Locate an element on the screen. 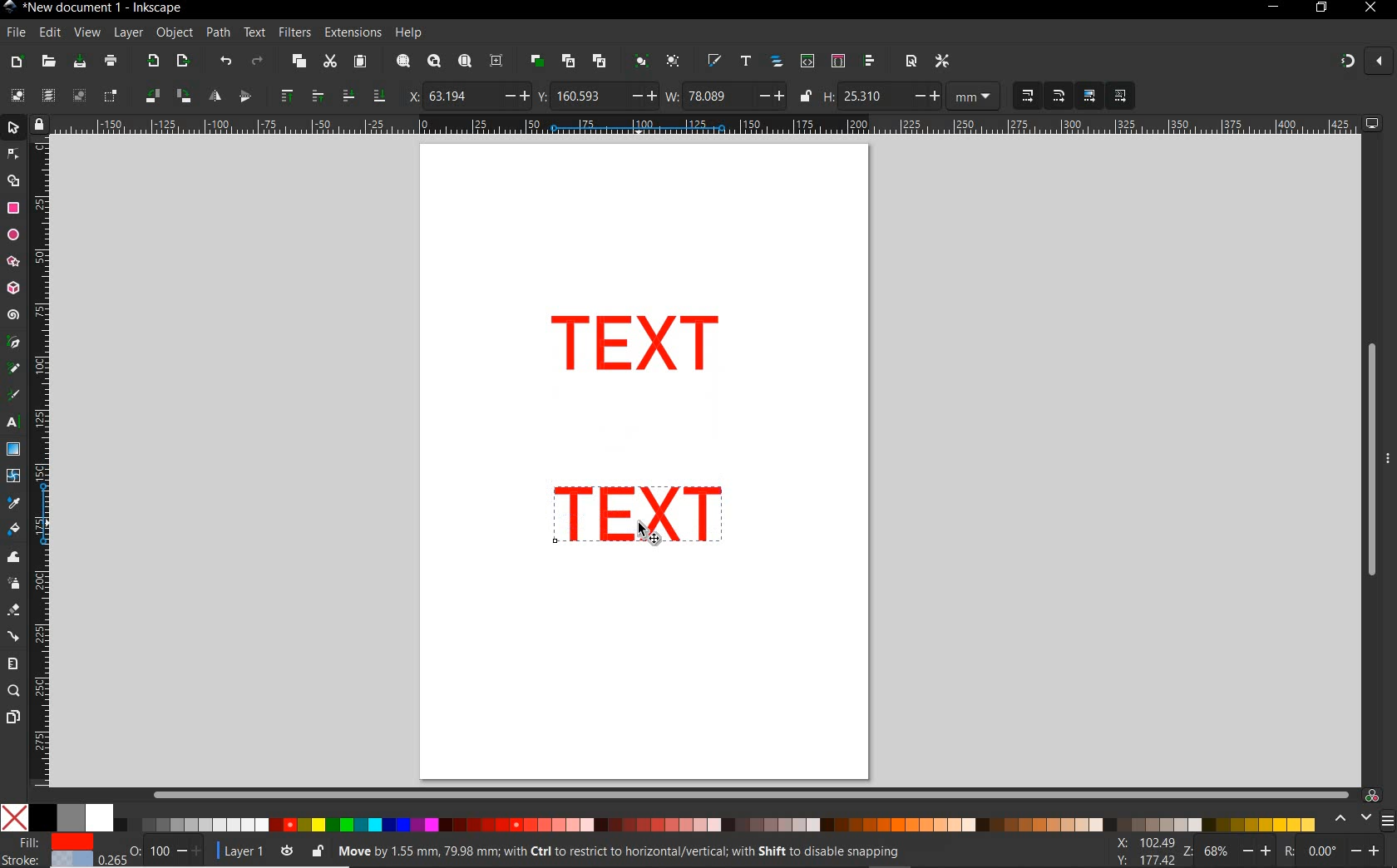 The height and width of the screenshot is (868, 1397). view is located at coordinates (86, 32).